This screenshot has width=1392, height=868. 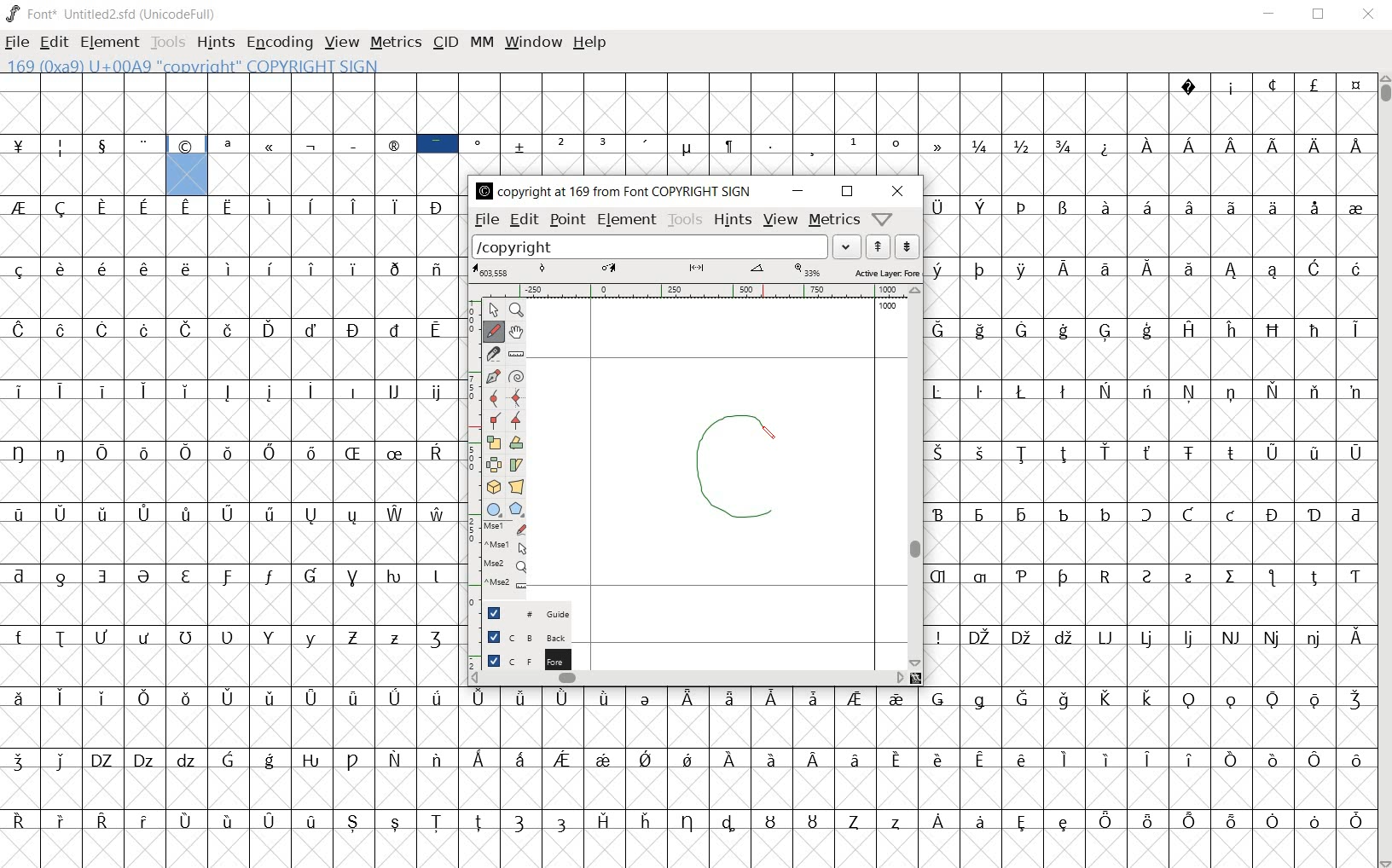 What do you see at coordinates (694, 291) in the screenshot?
I see `ruler` at bounding box center [694, 291].